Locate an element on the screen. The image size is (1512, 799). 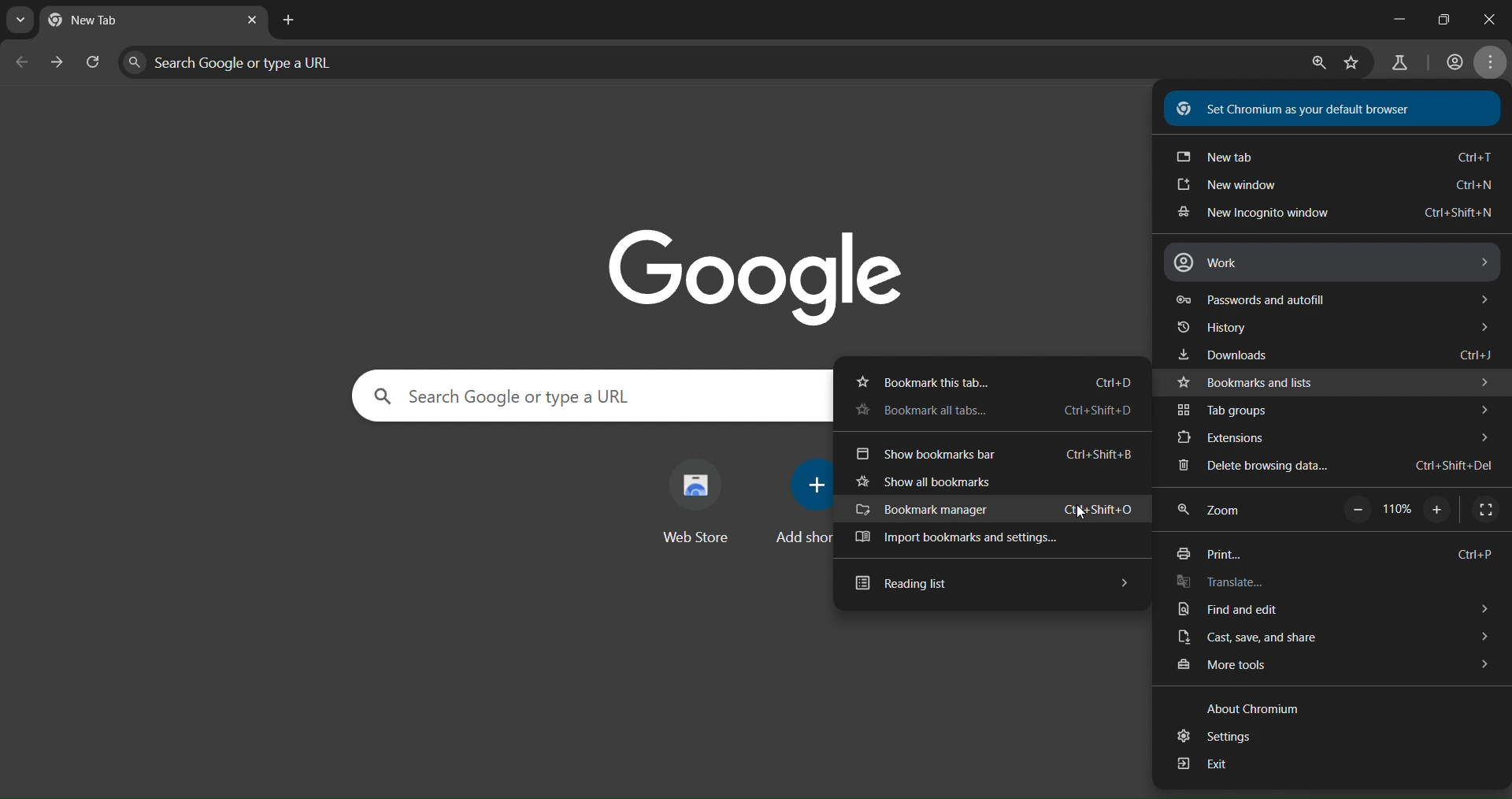
show bookmarks bar is located at coordinates (994, 455).